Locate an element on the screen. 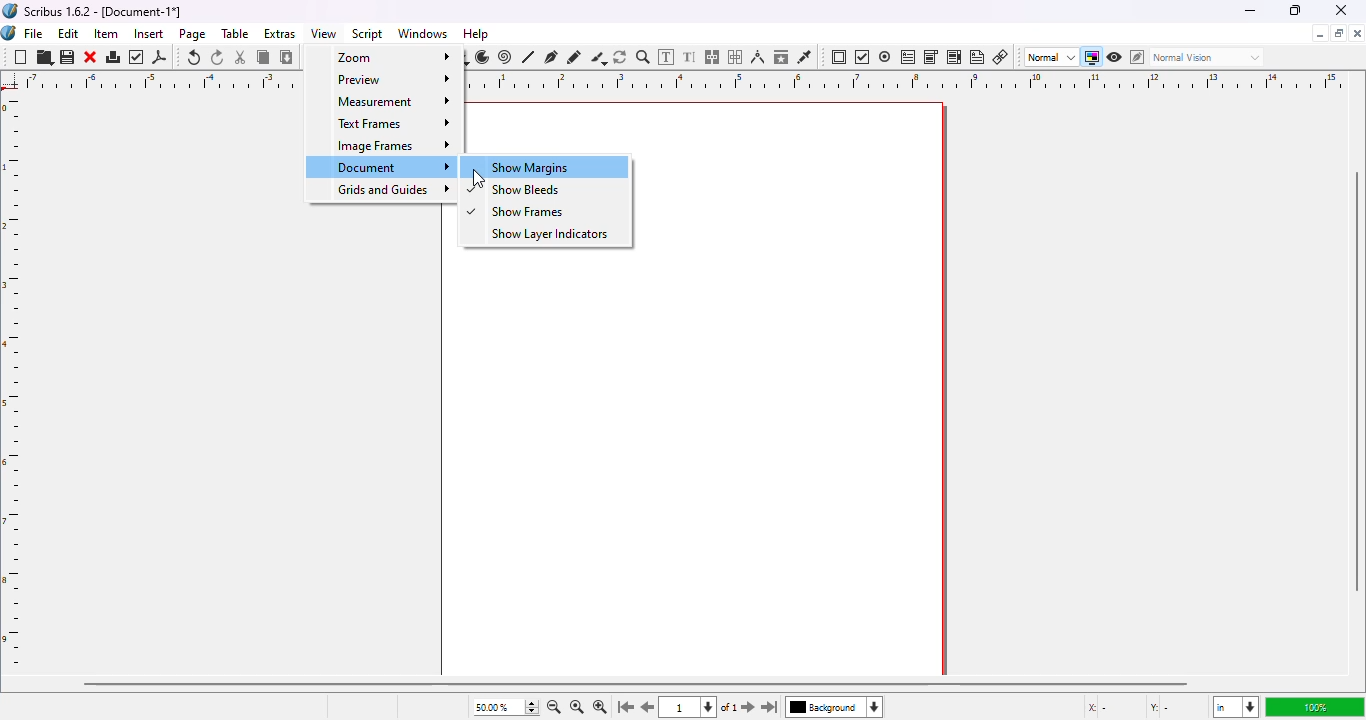  eye dropper is located at coordinates (804, 57).